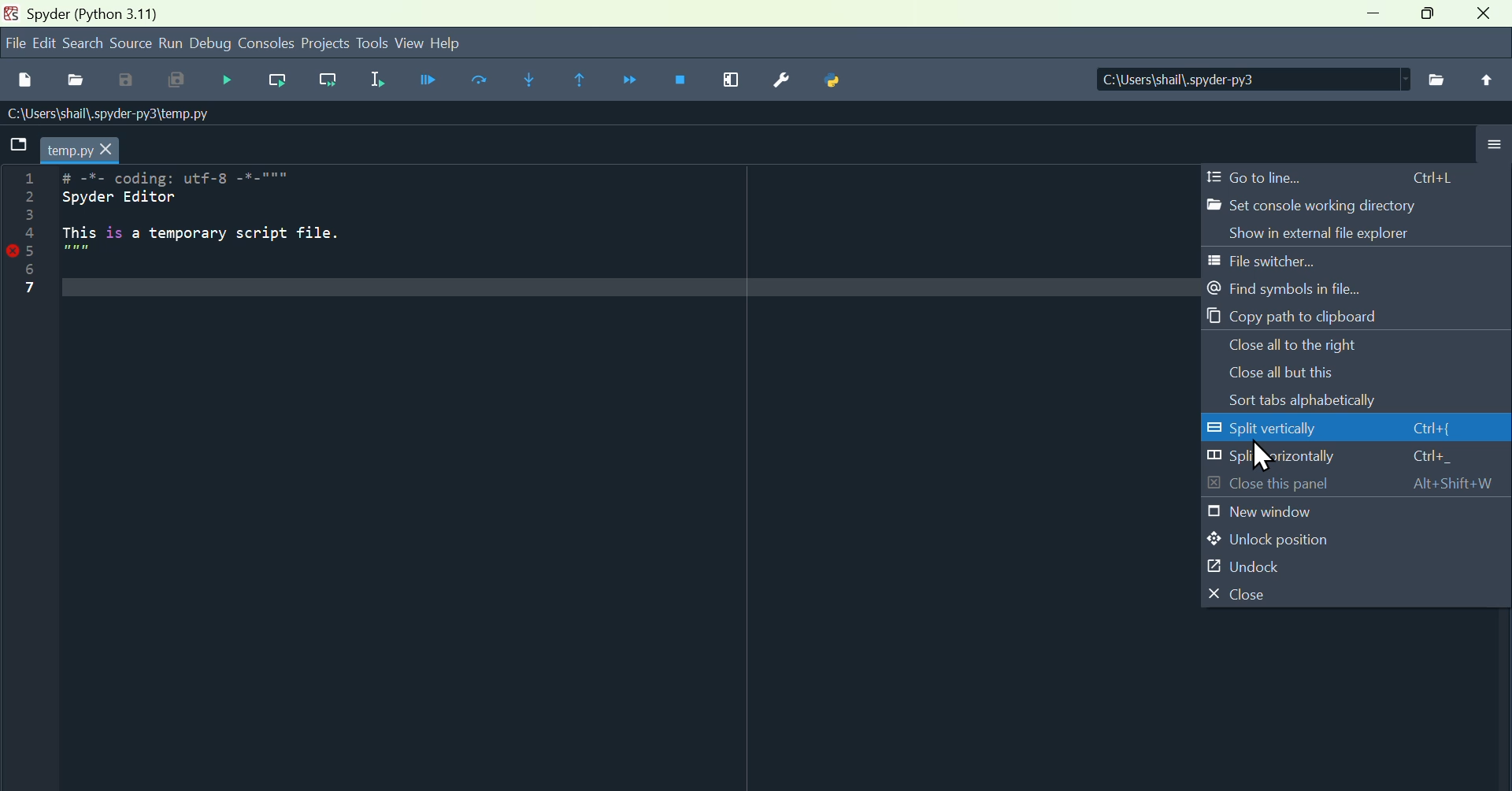 This screenshot has height=791, width=1512. What do you see at coordinates (454, 43) in the screenshot?
I see `help` at bounding box center [454, 43].